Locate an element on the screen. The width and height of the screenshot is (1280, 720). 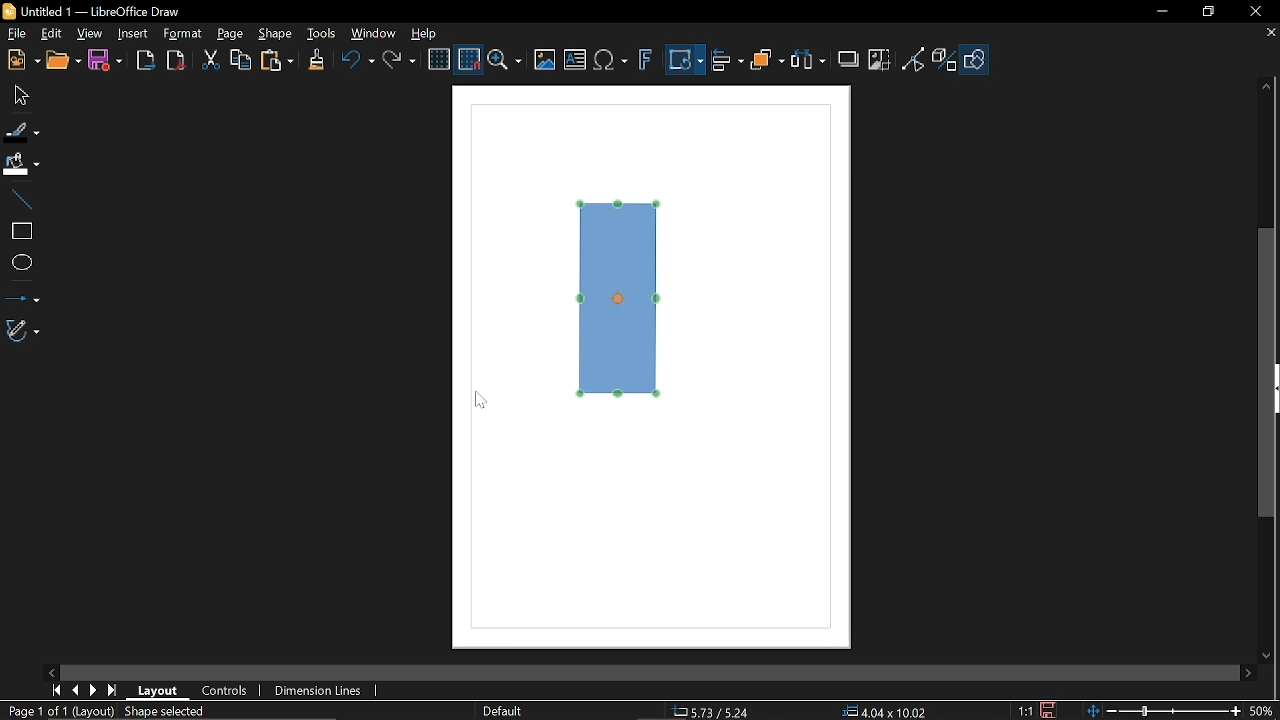
Ellipse is located at coordinates (21, 264).